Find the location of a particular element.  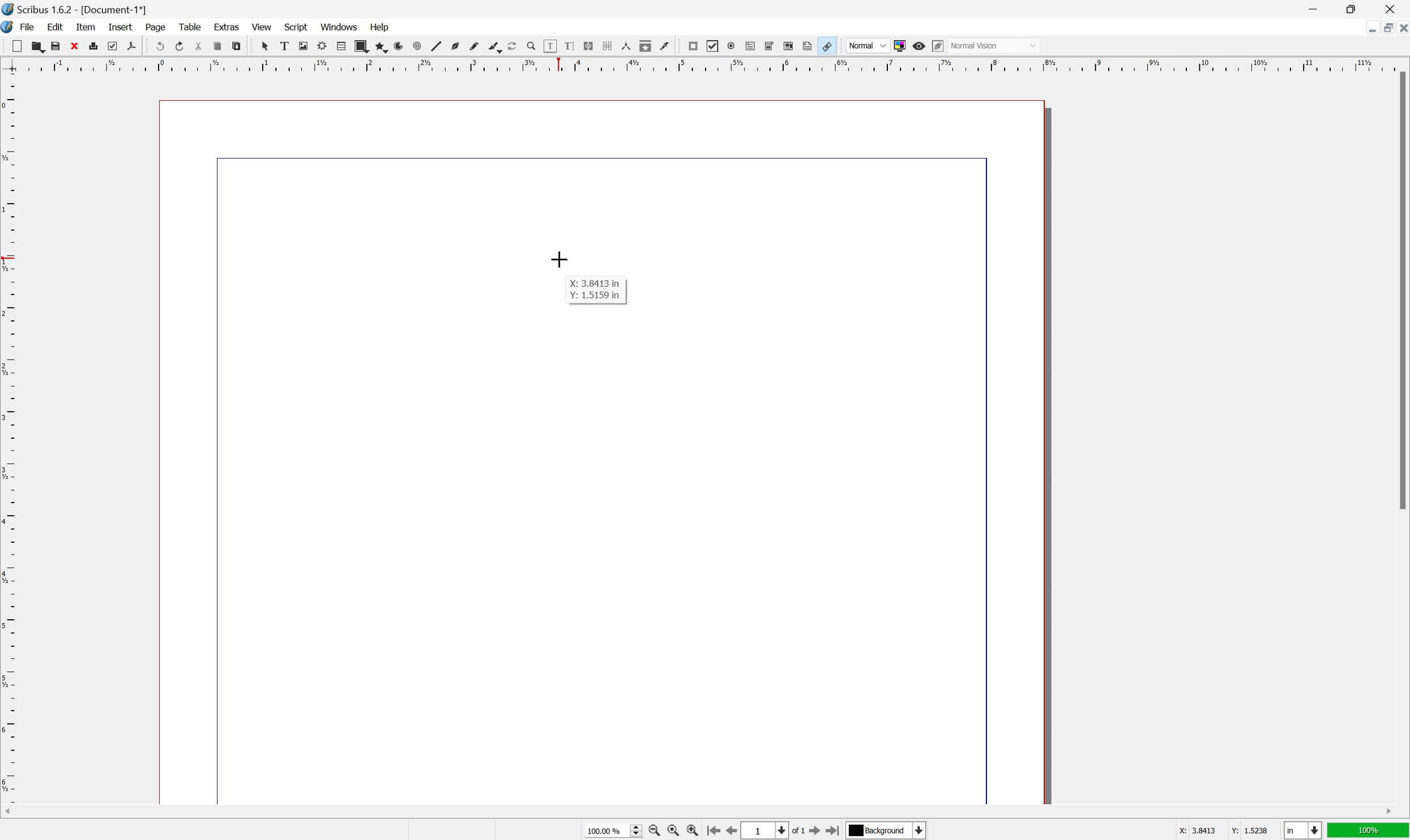

image frame is located at coordinates (303, 46).